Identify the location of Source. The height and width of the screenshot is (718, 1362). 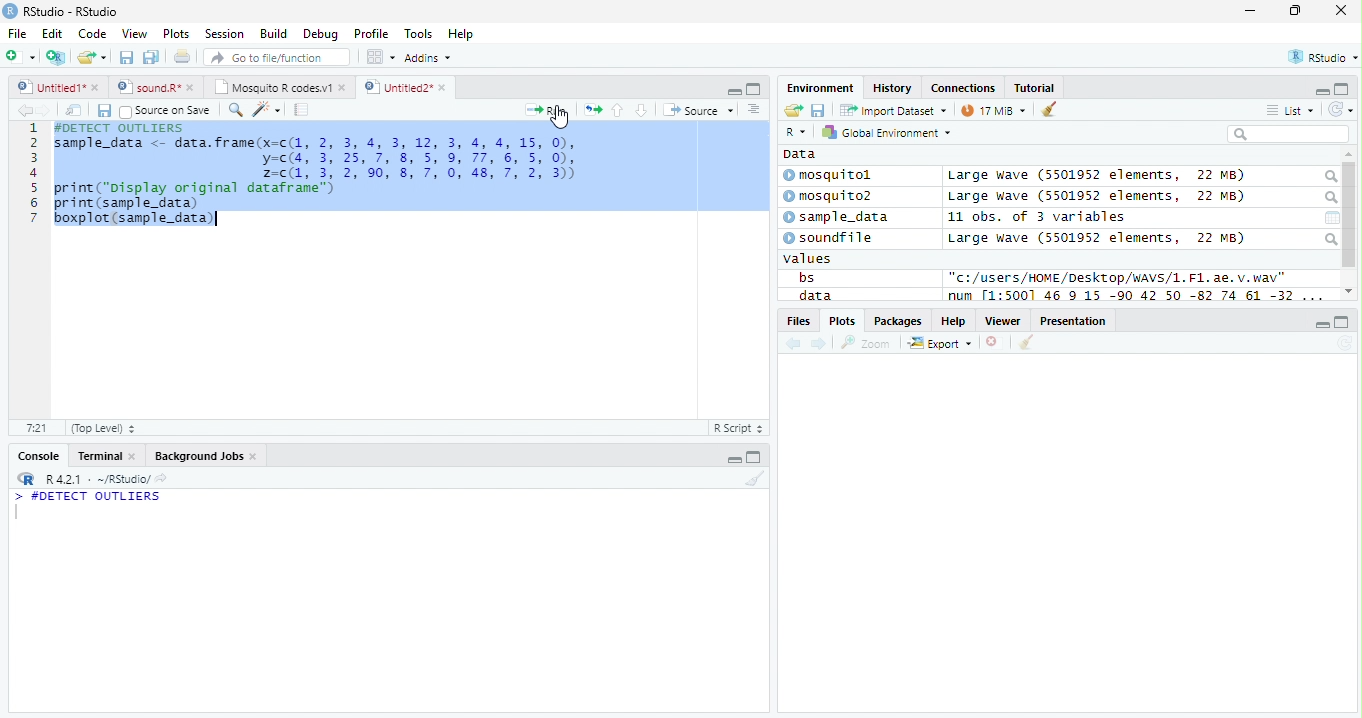
(700, 109).